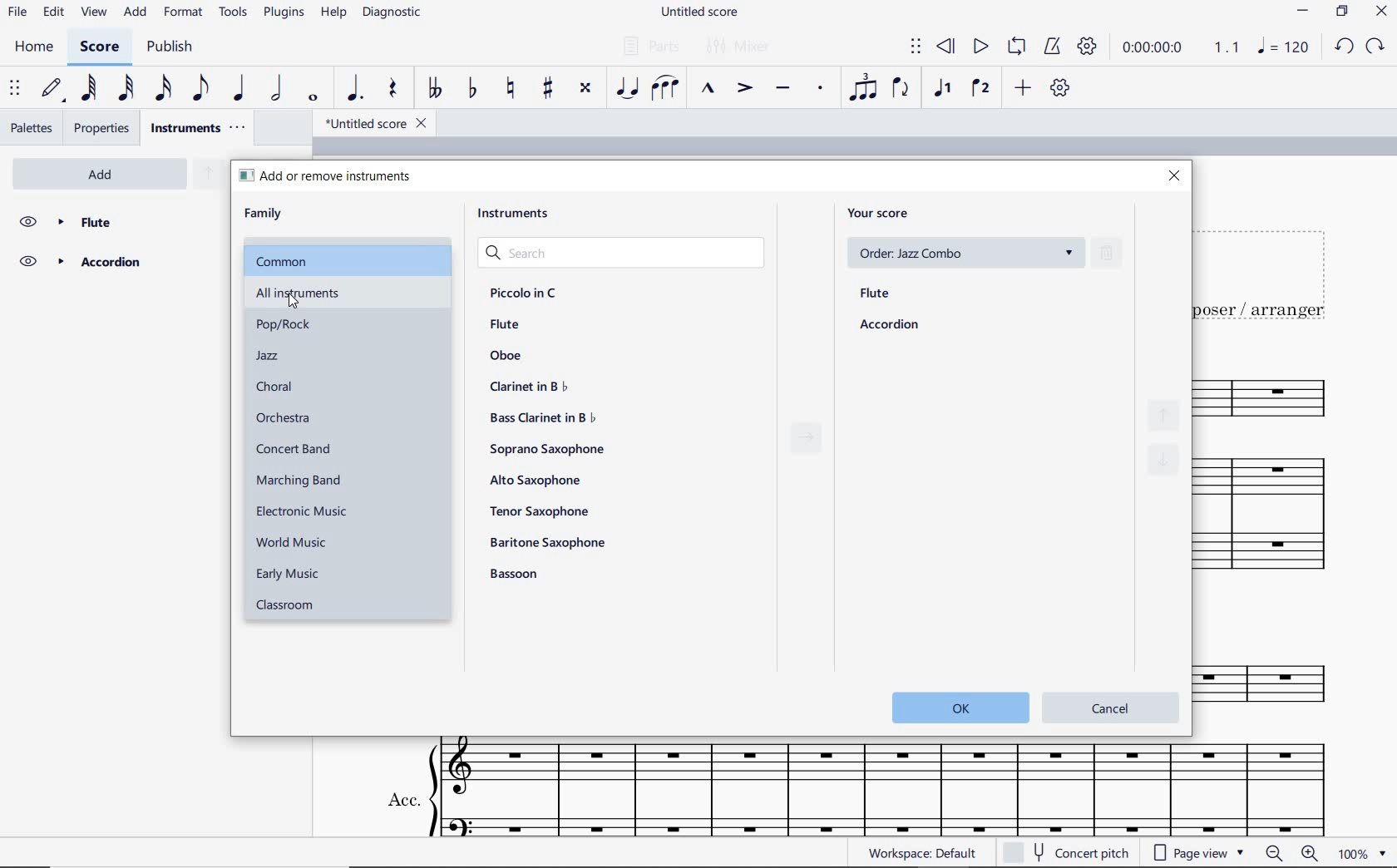  What do you see at coordinates (279, 299) in the screenshot?
I see `cursor` at bounding box center [279, 299].